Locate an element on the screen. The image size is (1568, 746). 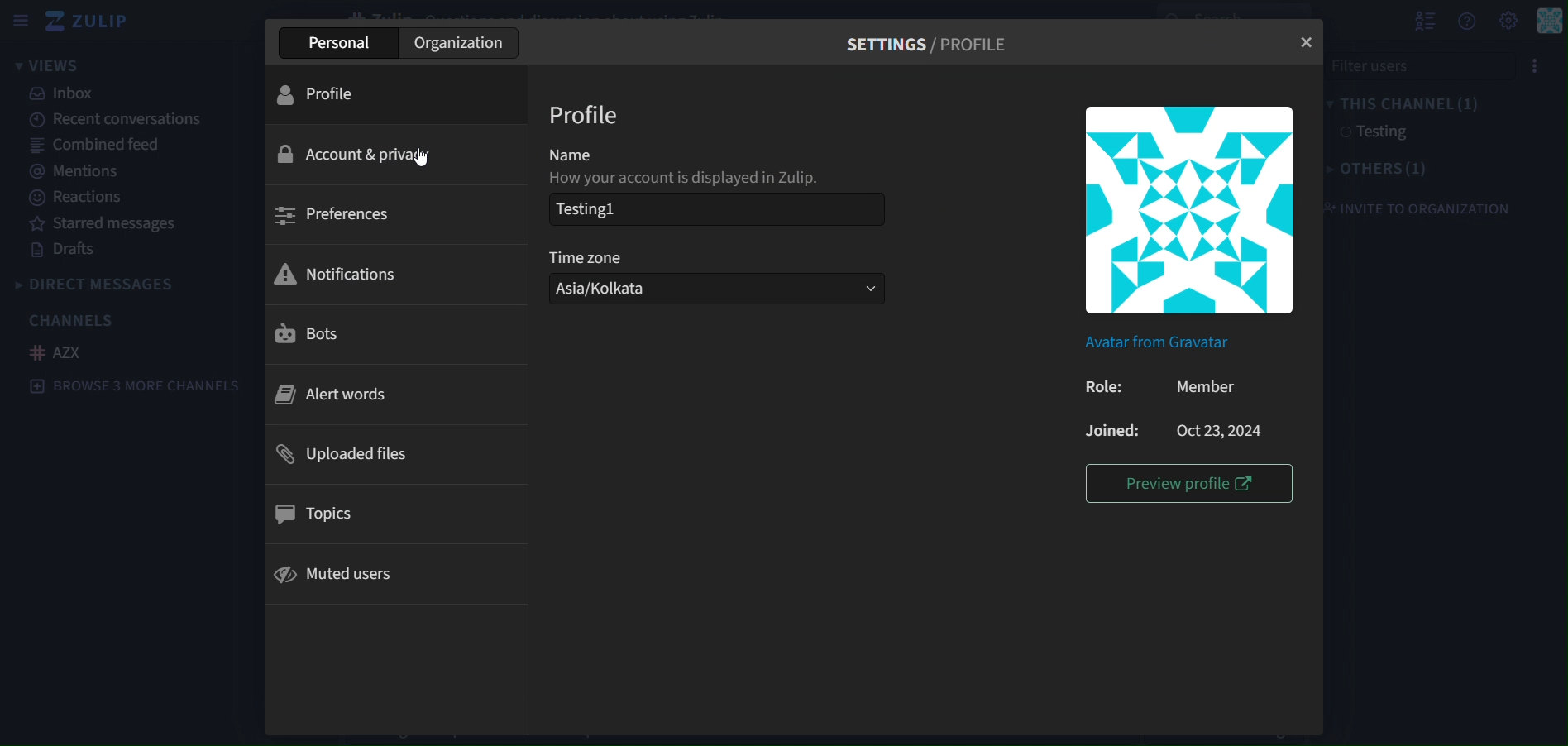
setting is located at coordinates (1508, 20).